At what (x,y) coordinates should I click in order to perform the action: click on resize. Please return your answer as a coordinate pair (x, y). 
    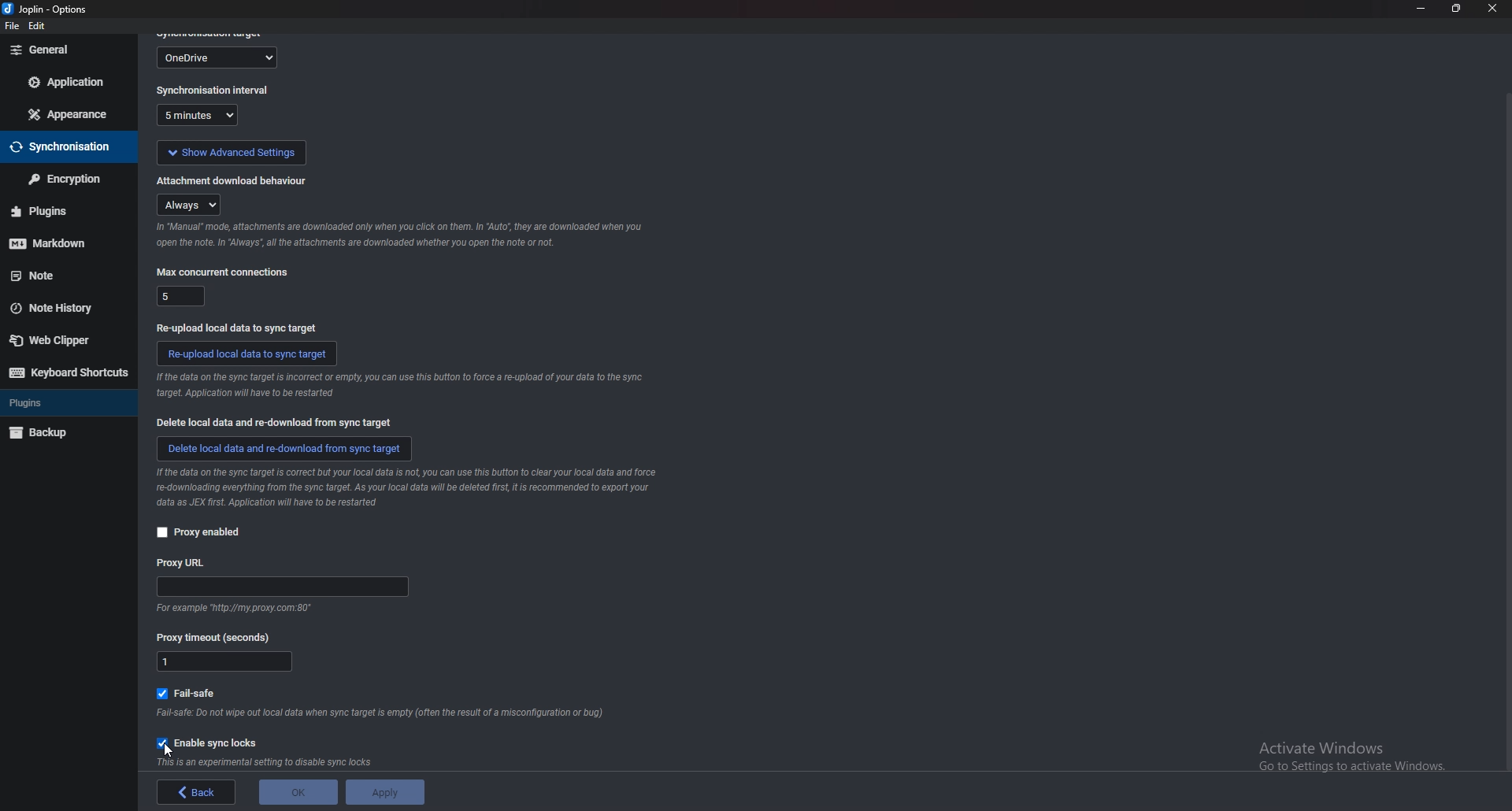
    Looking at the image, I should click on (1455, 9).